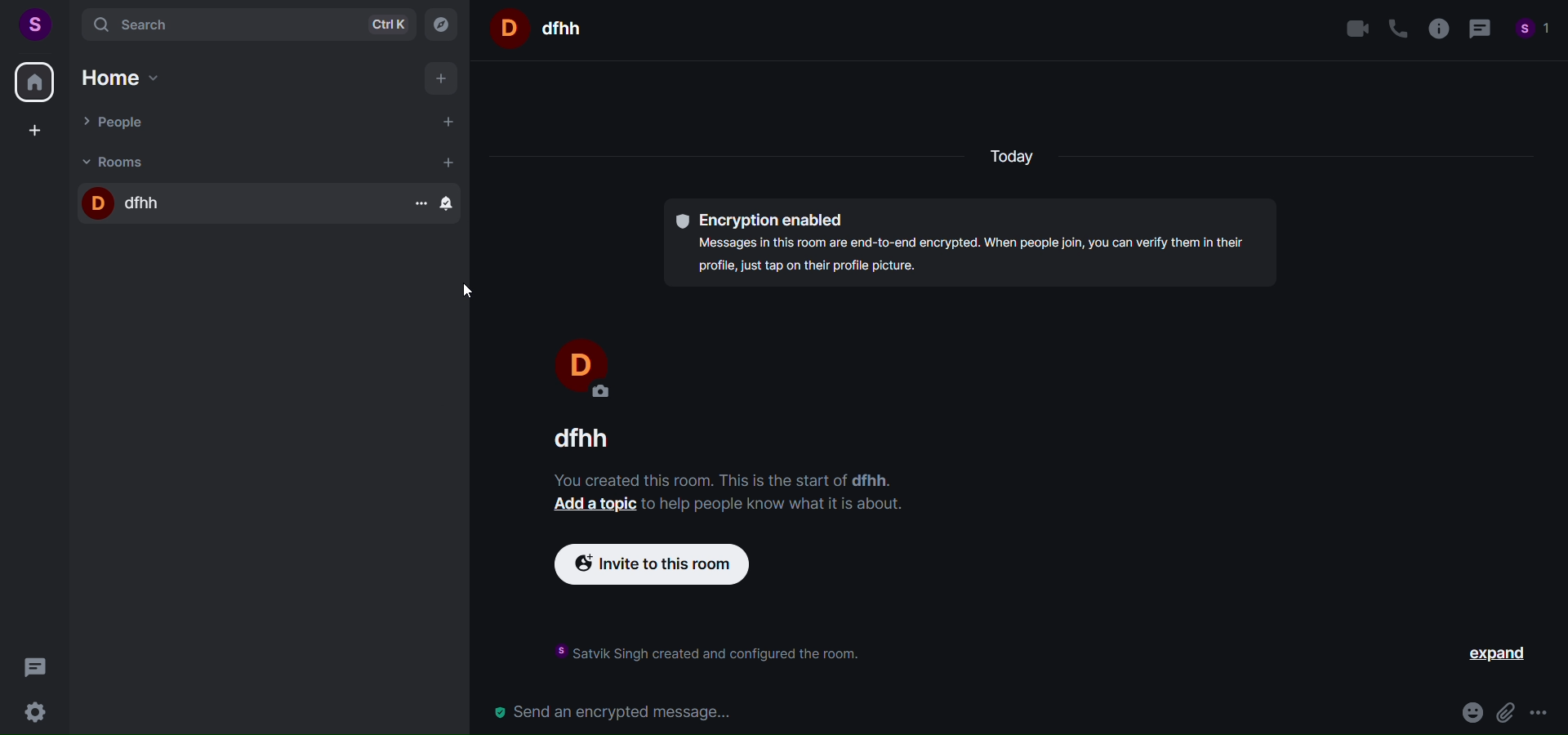  I want to click on dfhh, so click(224, 204).